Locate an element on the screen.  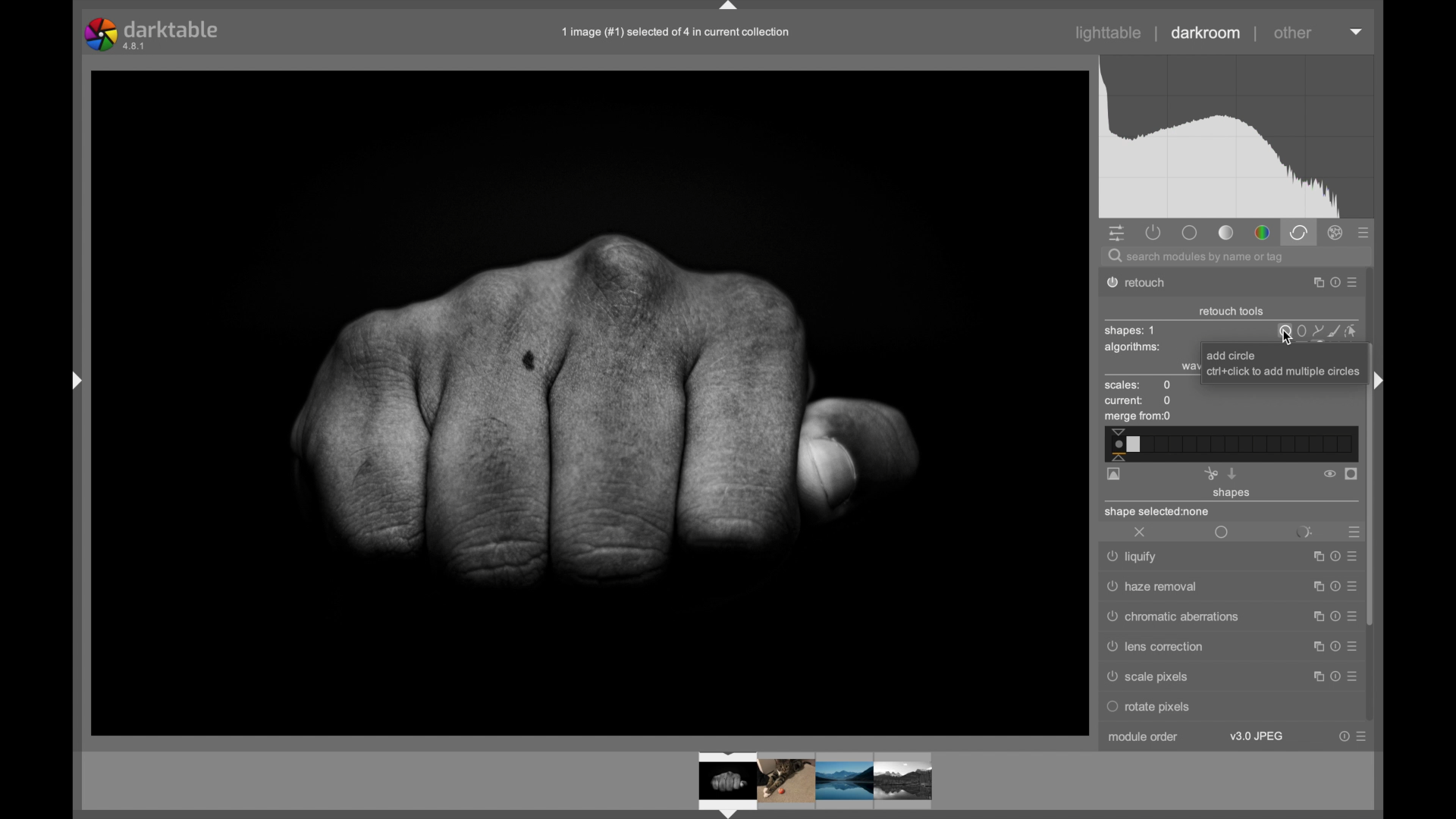
more options is located at coordinates (1353, 284).